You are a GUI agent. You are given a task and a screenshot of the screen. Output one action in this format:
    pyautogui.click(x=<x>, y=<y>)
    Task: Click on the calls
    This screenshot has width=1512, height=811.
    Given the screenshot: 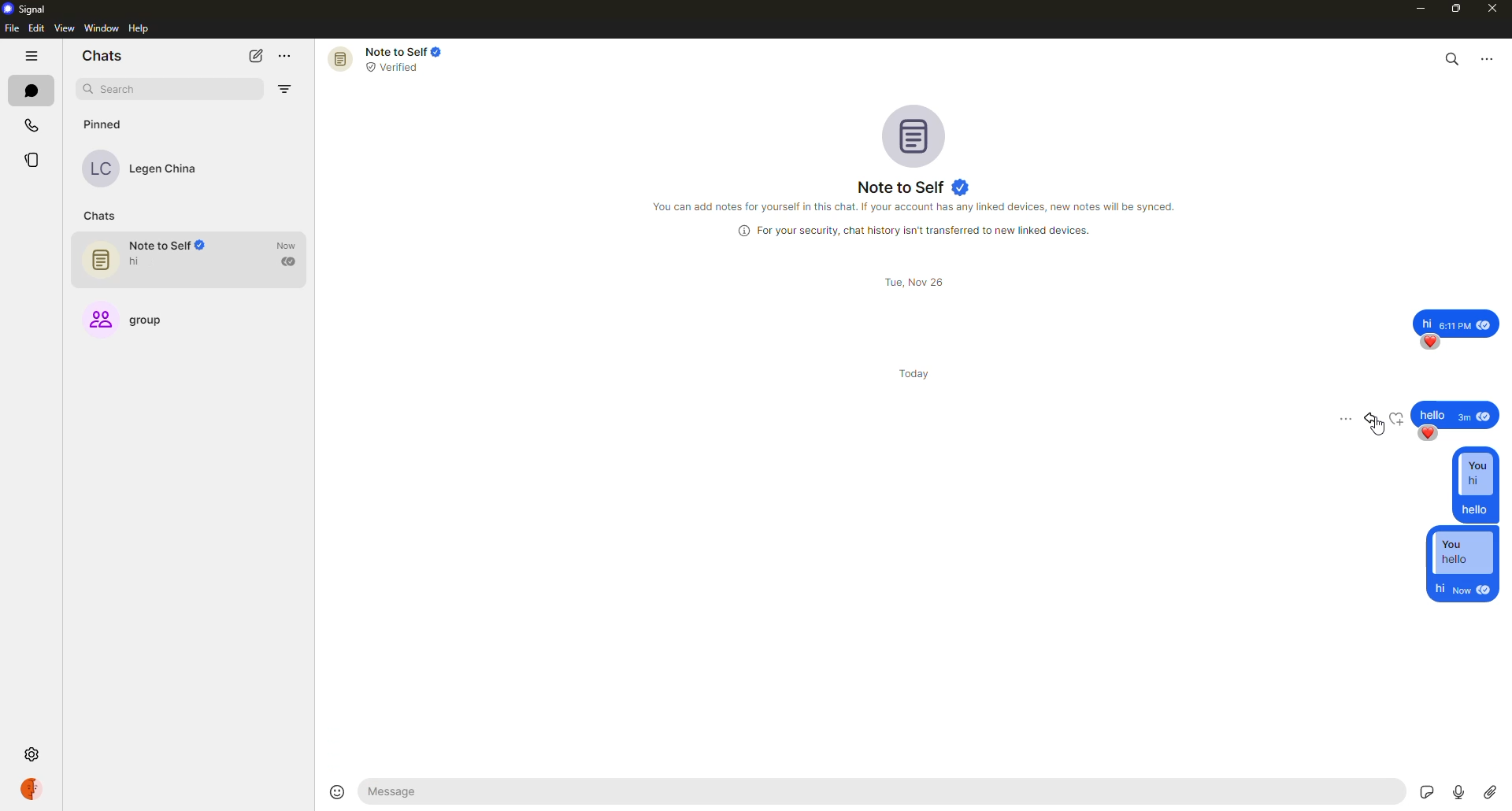 What is the action you would take?
    pyautogui.click(x=34, y=122)
    